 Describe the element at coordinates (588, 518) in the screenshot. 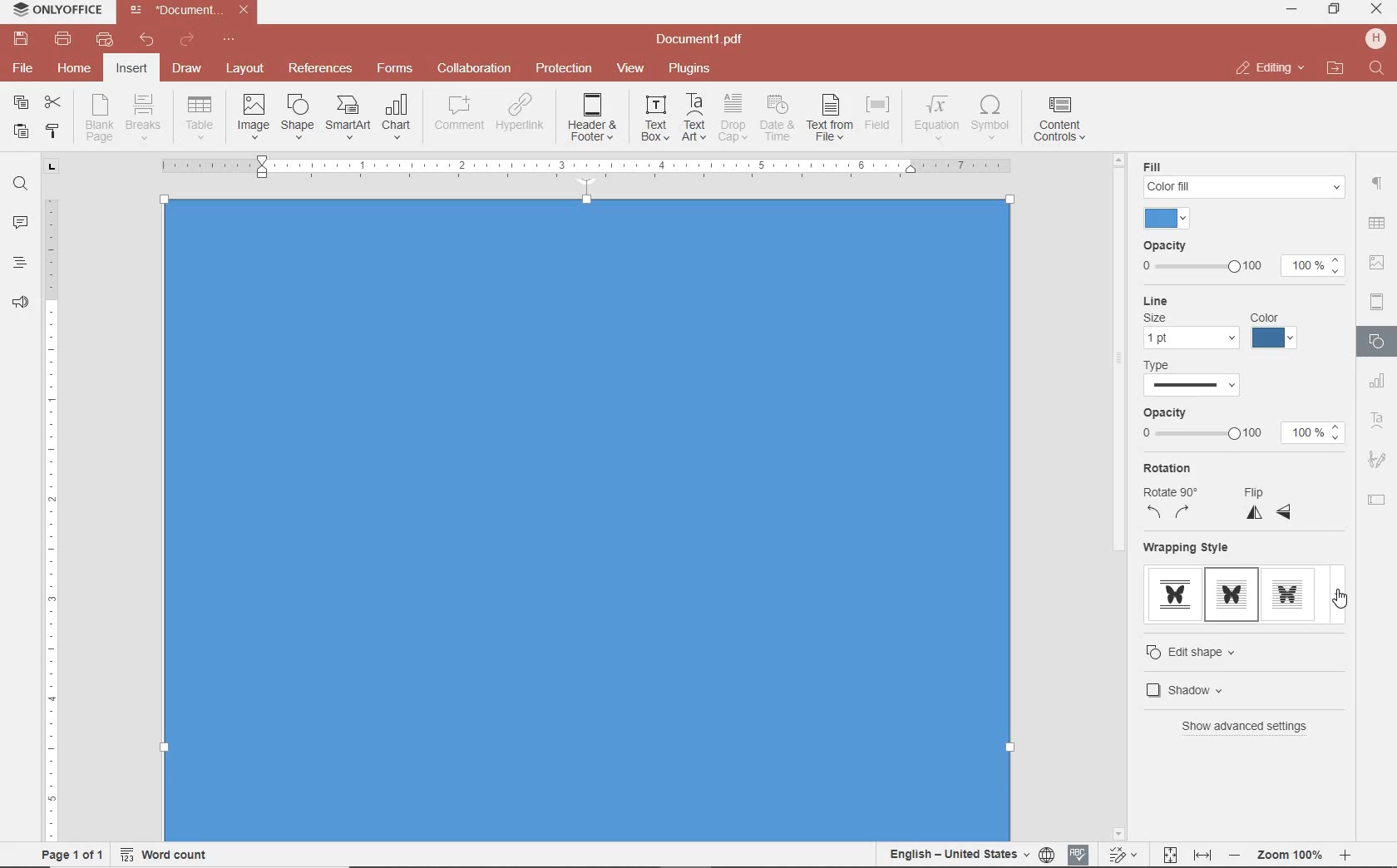

I see `` at that location.